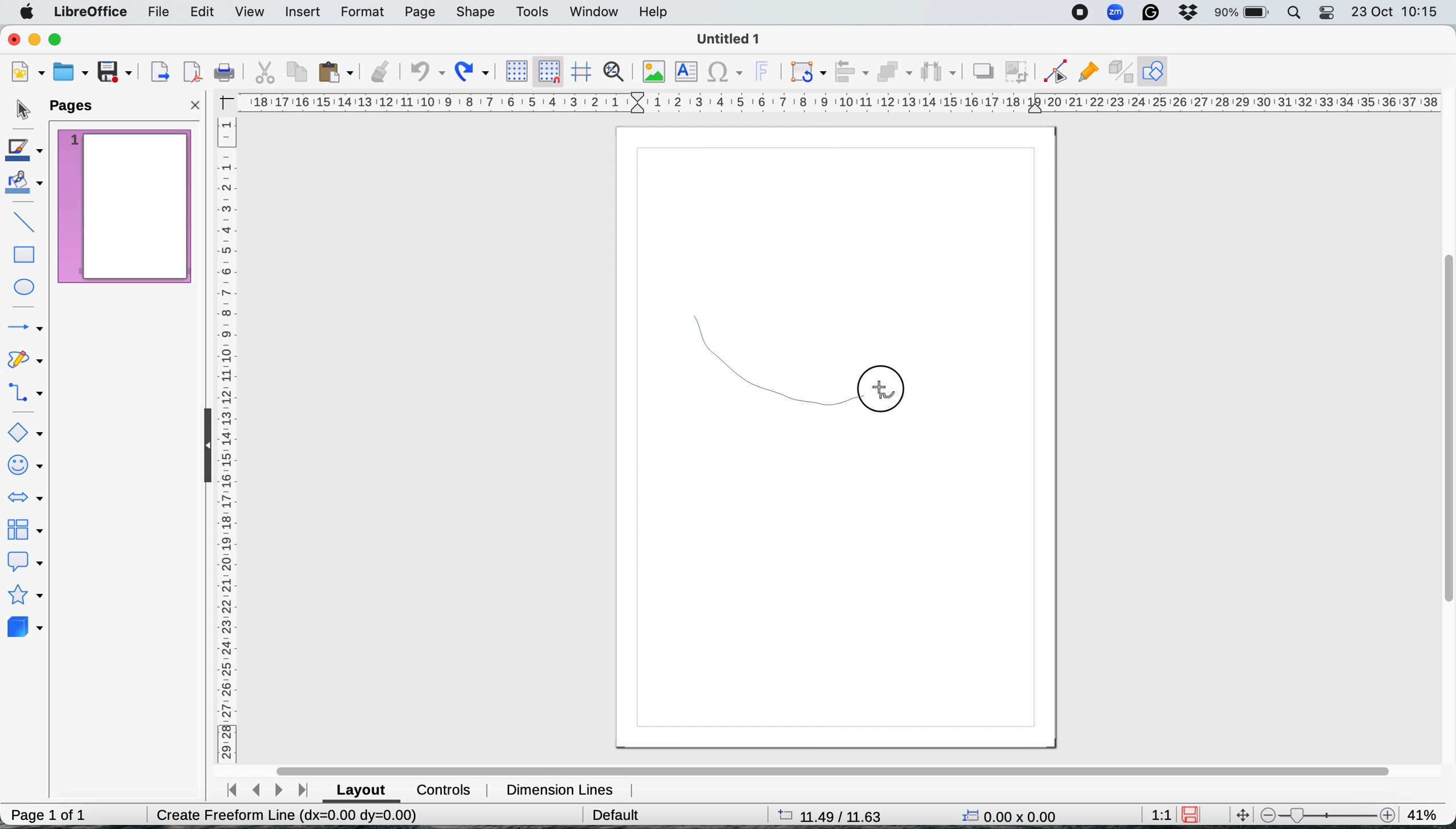 This screenshot has width=1456, height=829. What do you see at coordinates (594, 12) in the screenshot?
I see `window` at bounding box center [594, 12].